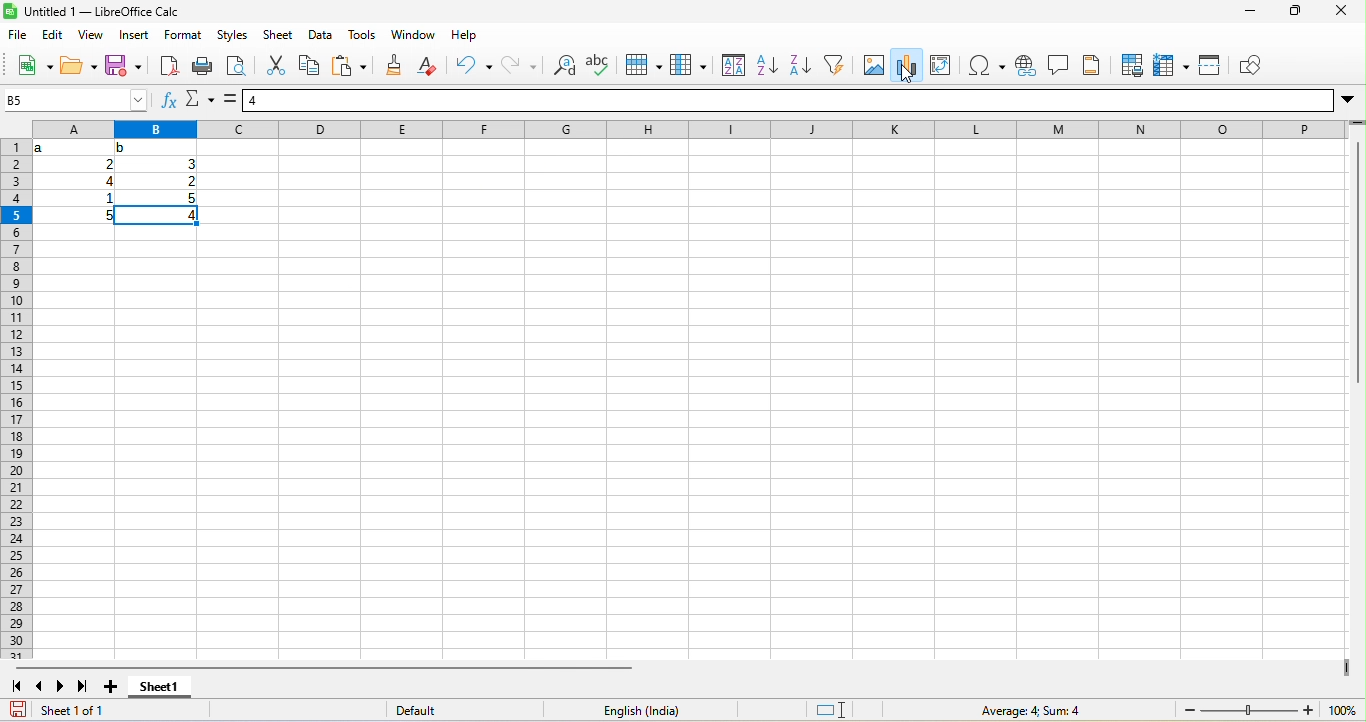 This screenshot has width=1366, height=722. Describe the element at coordinates (16, 686) in the screenshot. I see `first sheet` at that location.